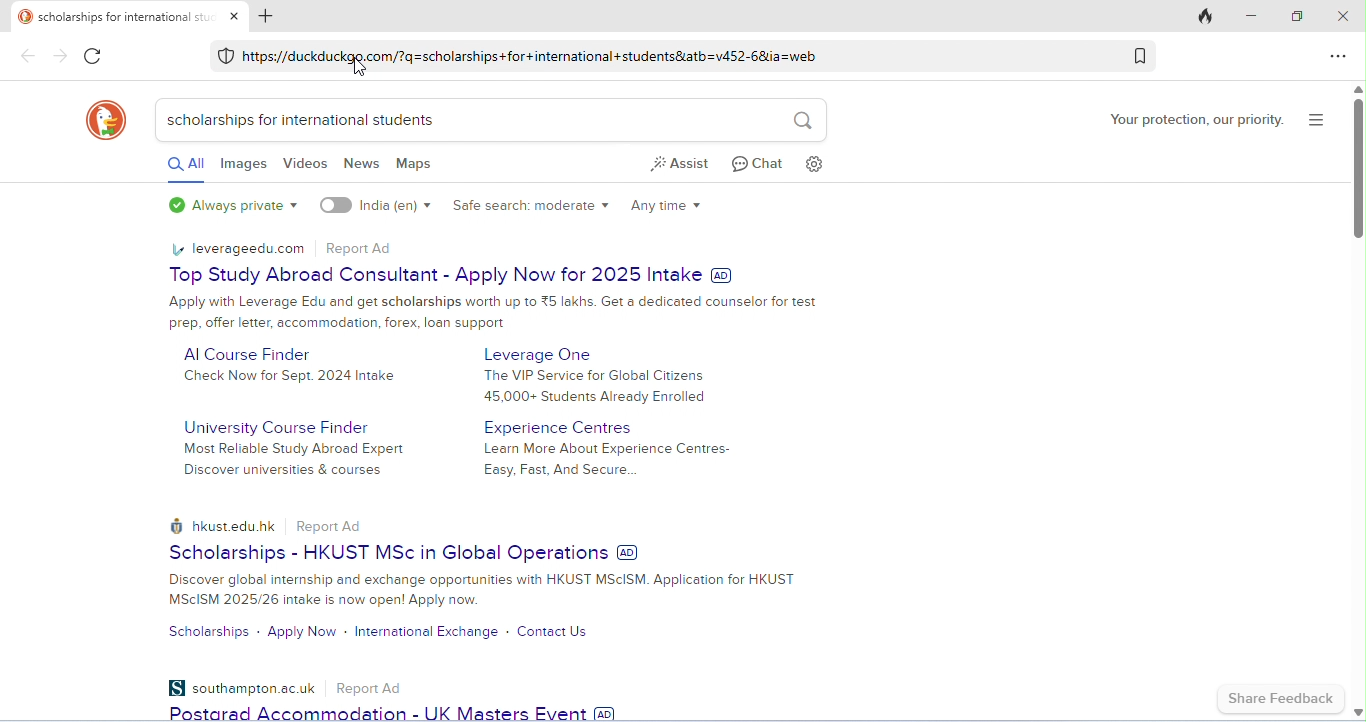  Describe the element at coordinates (26, 57) in the screenshot. I see `` at that location.